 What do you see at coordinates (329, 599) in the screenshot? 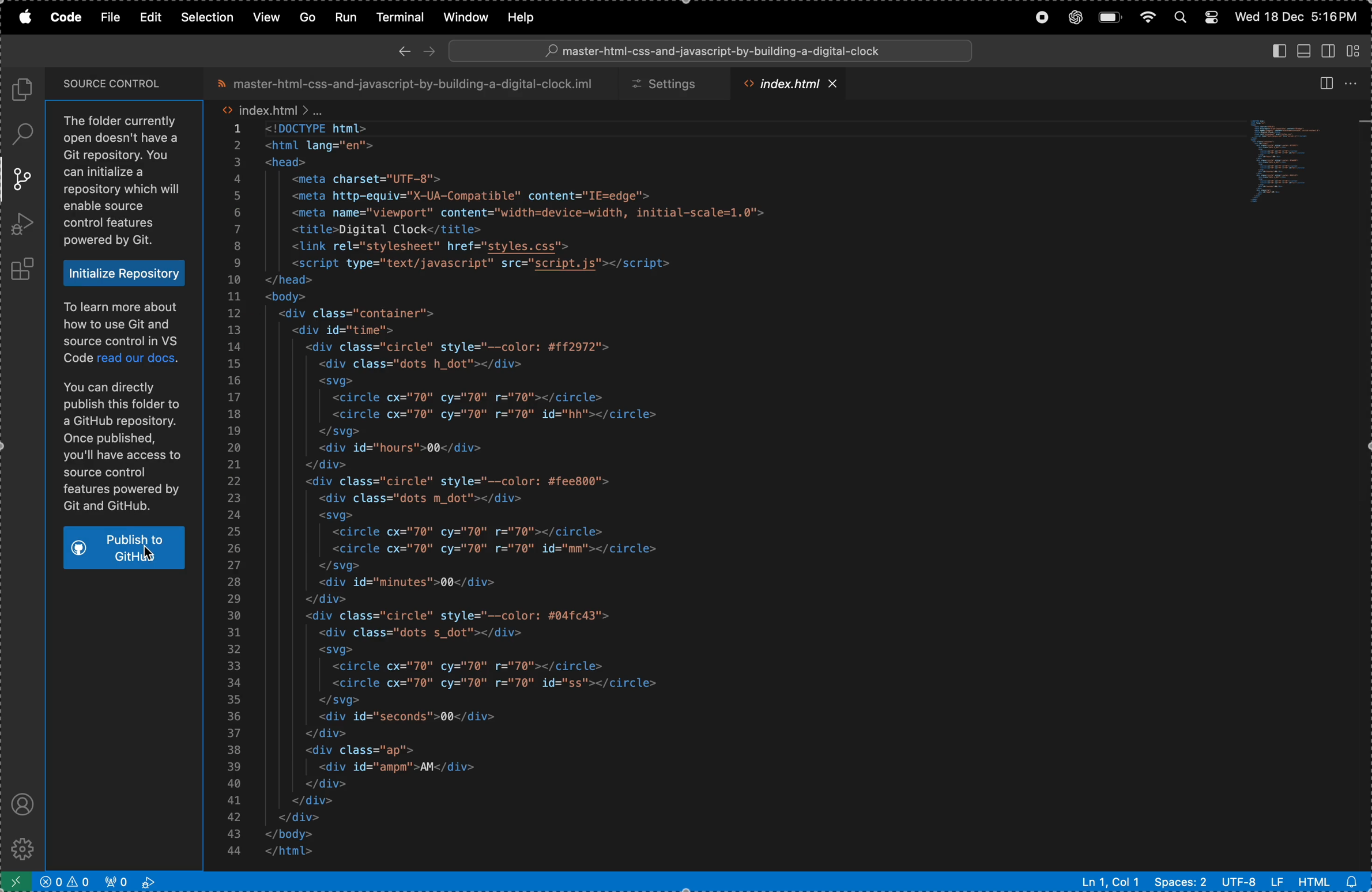
I see `</div>` at bounding box center [329, 599].